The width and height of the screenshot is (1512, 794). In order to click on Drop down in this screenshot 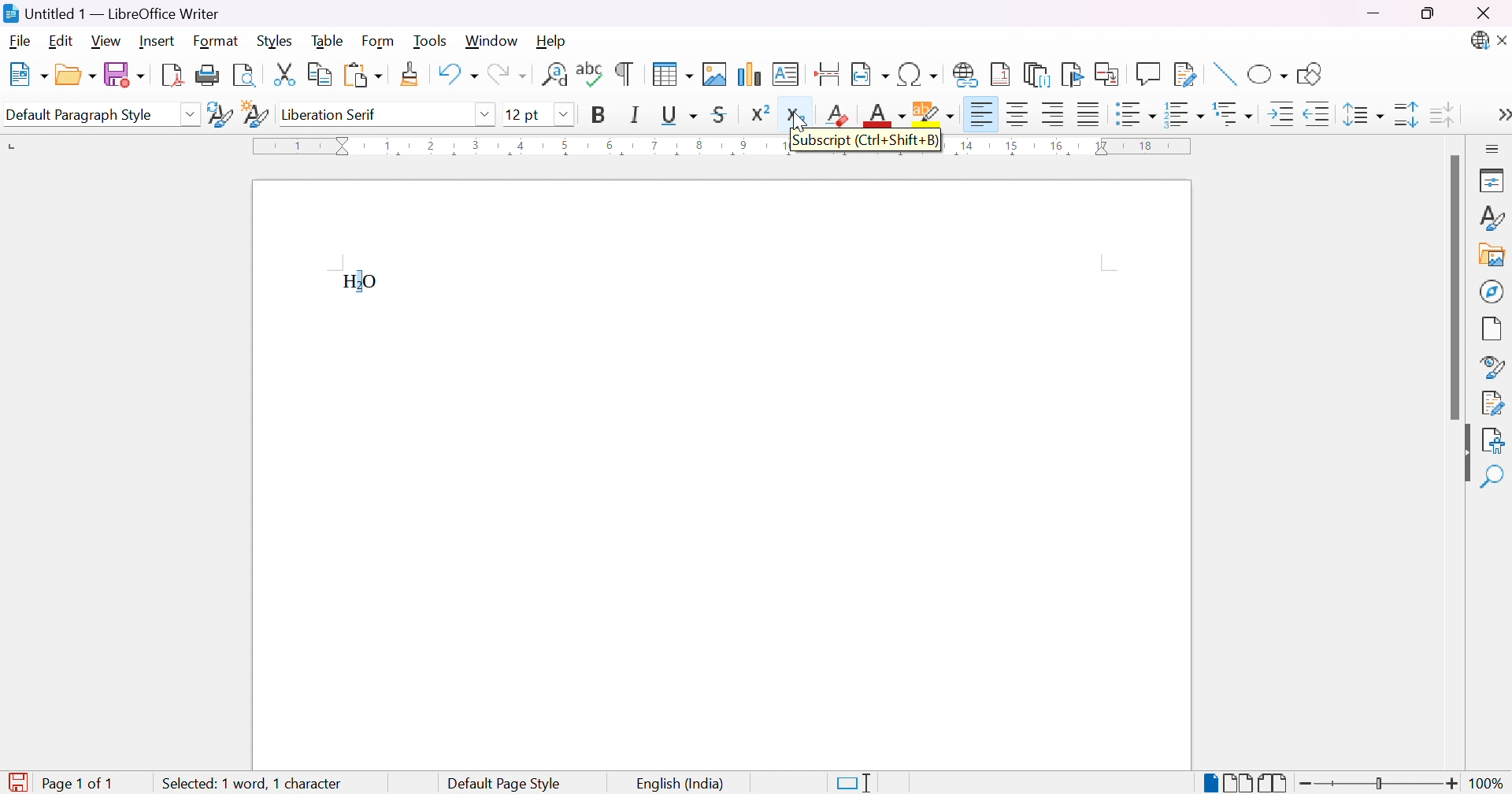, I will do `click(190, 114)`.